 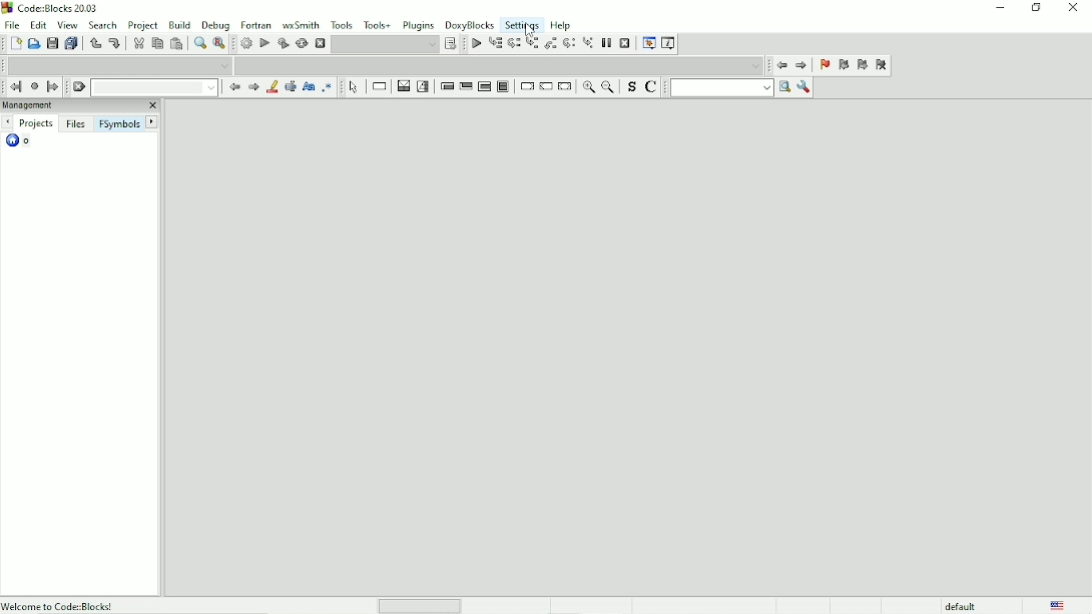 I want to click on Entry-condition loop, so click(x=446, y=87).